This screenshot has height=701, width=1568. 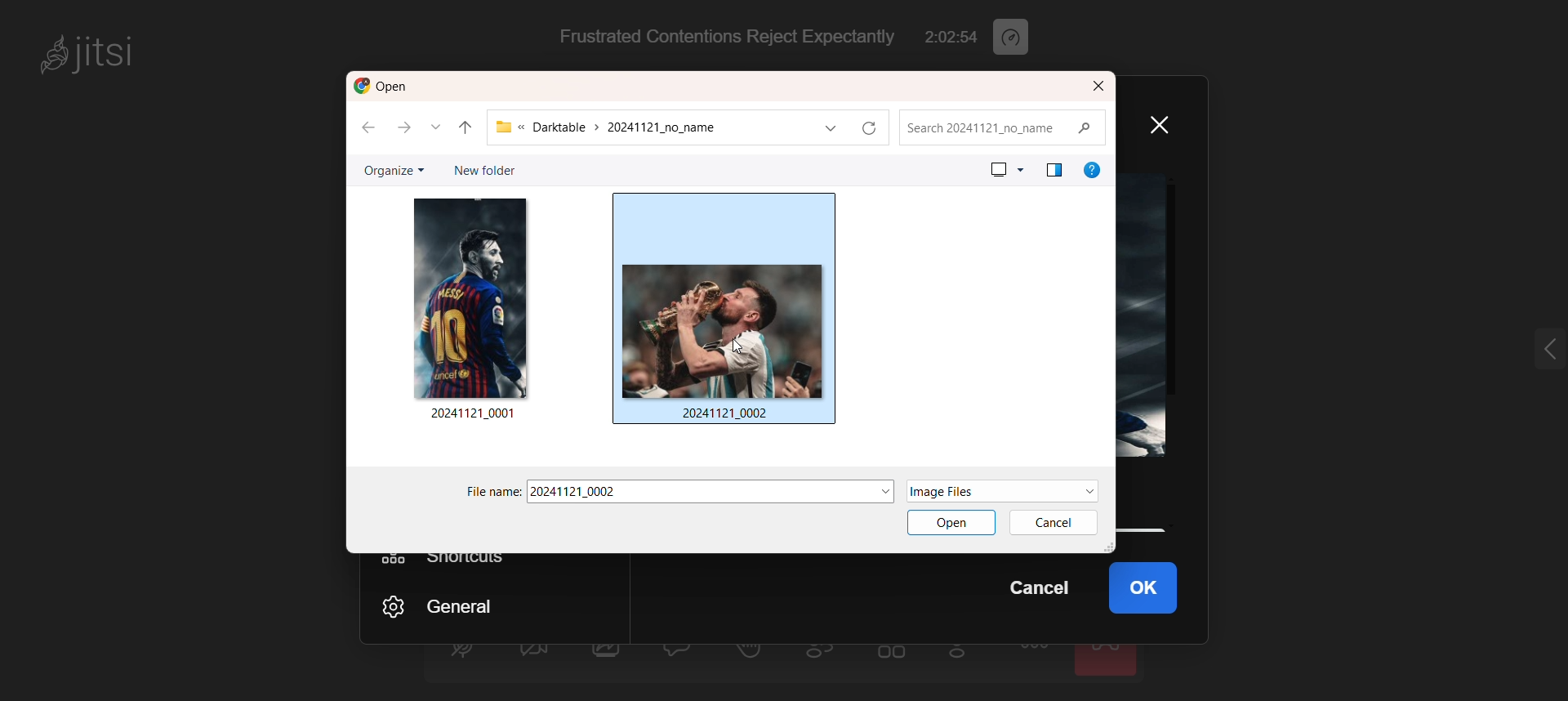 What do you see at coordinates (1005, 168) in the screenshot?
I see `preview` at bounding box center [1005, 168].